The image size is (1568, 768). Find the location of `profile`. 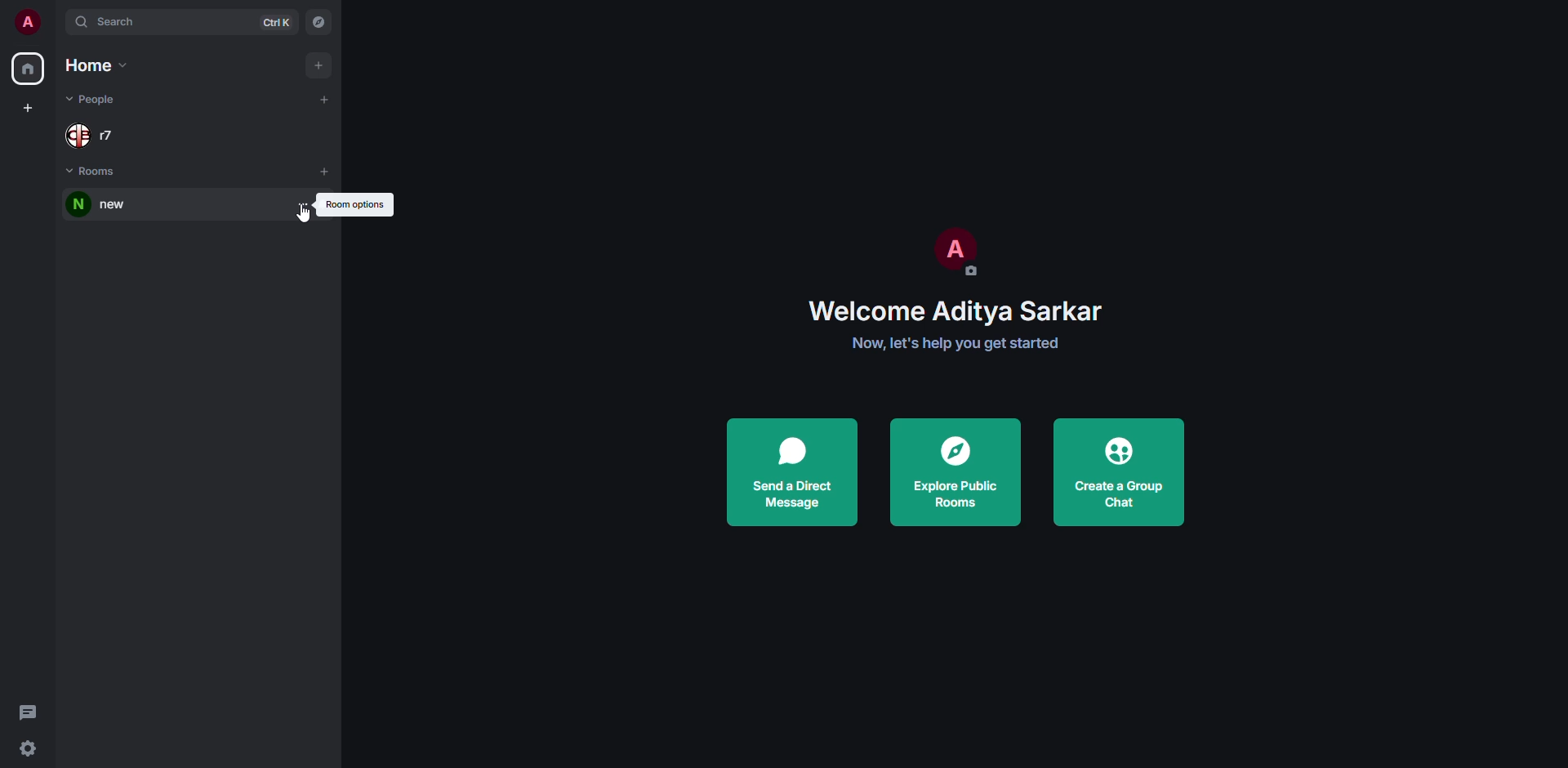

profile is located at coordinates (27, 23).